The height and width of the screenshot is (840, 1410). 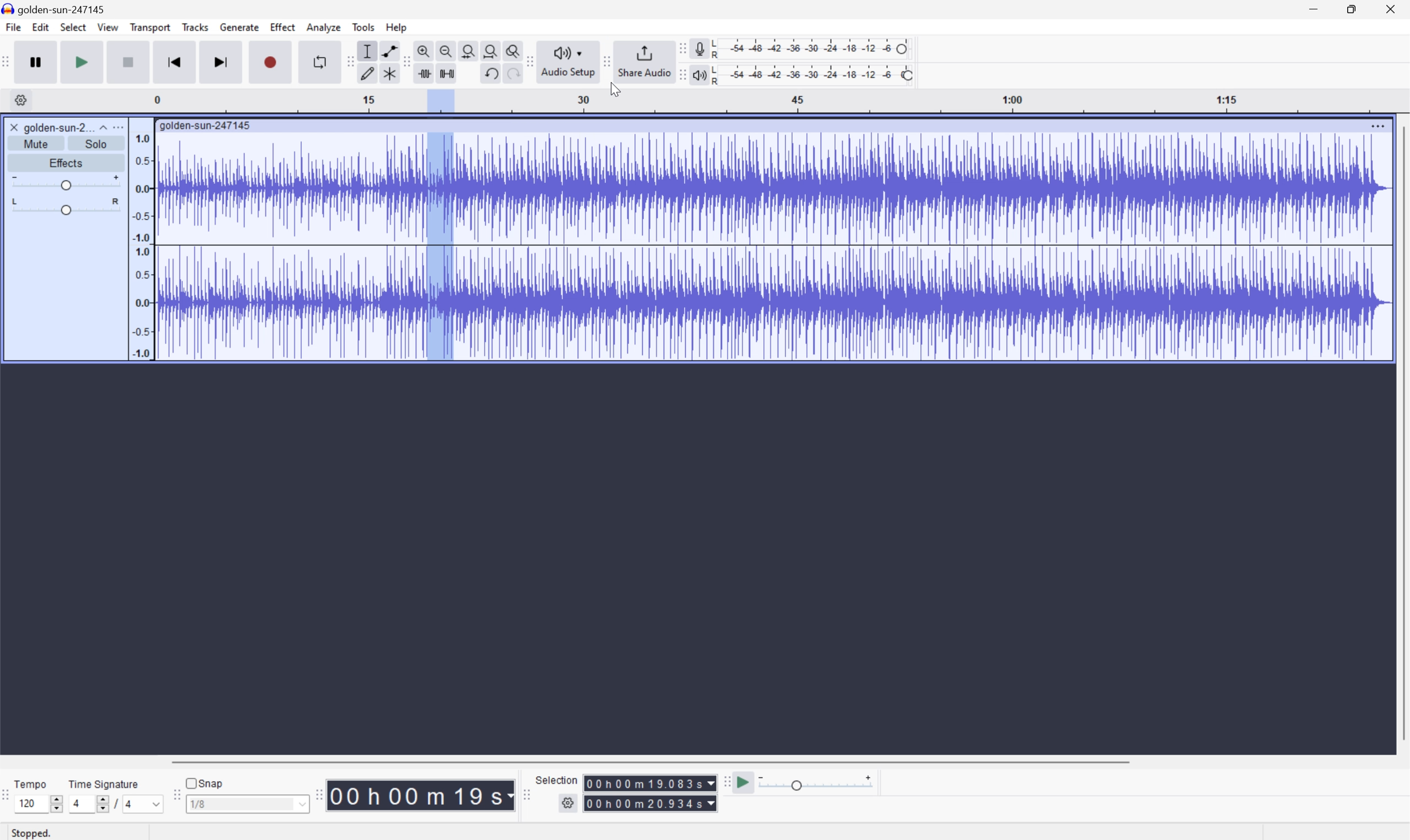 What do you see at coordinates (423, 51) in the screenshot?
I see `Zoom in` at bounding box center [423, 51].